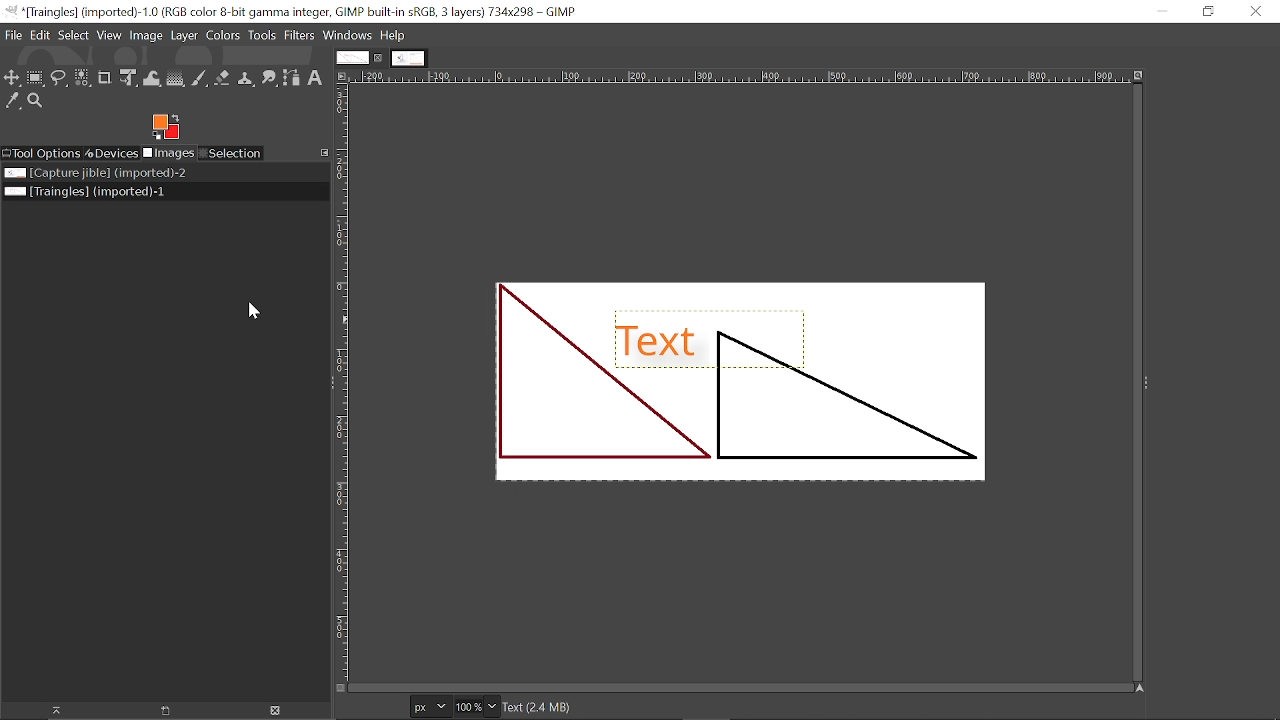 The image size is (1280, 720). Describe the element at coordinates (83, 79) in the screenshot. I see `Select by color` at that location.